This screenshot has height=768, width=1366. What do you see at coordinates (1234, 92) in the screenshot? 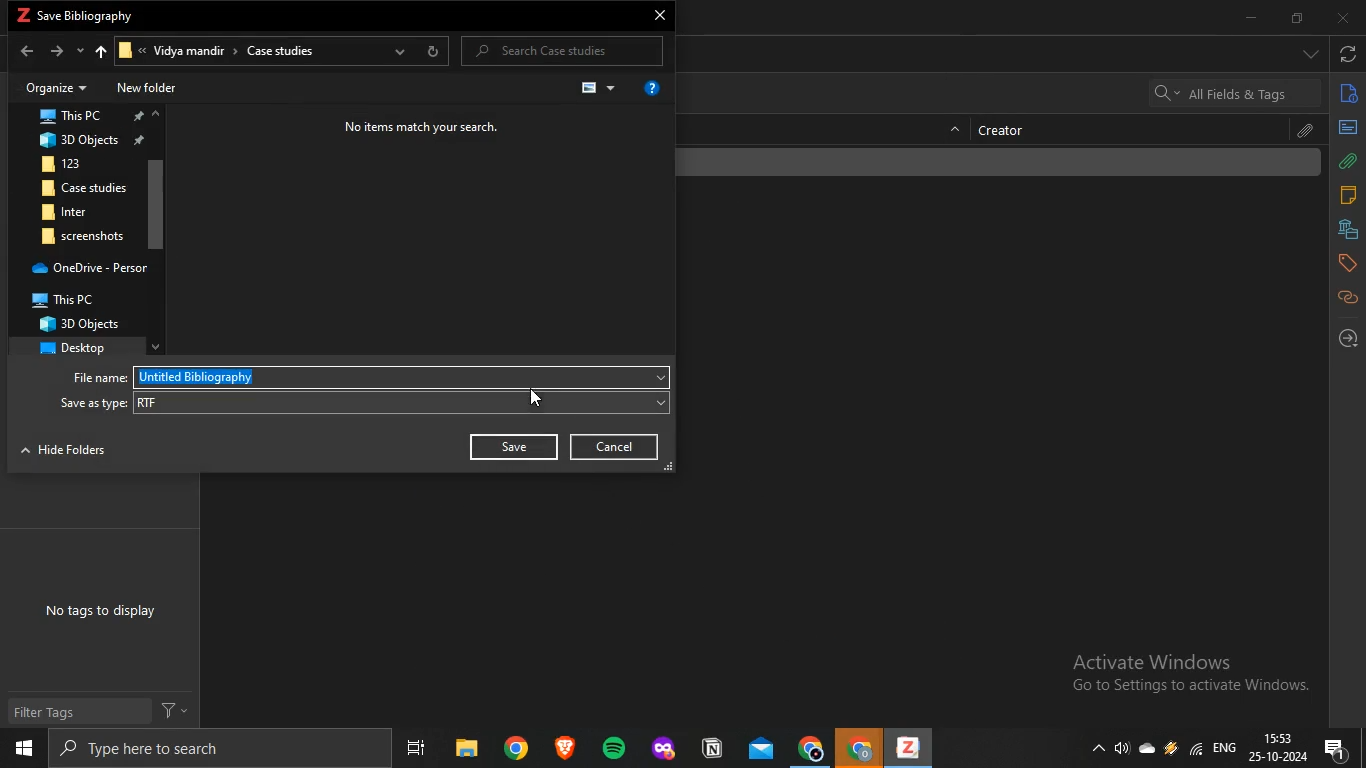
I see `search bar` at bounding box center [1234, 92].